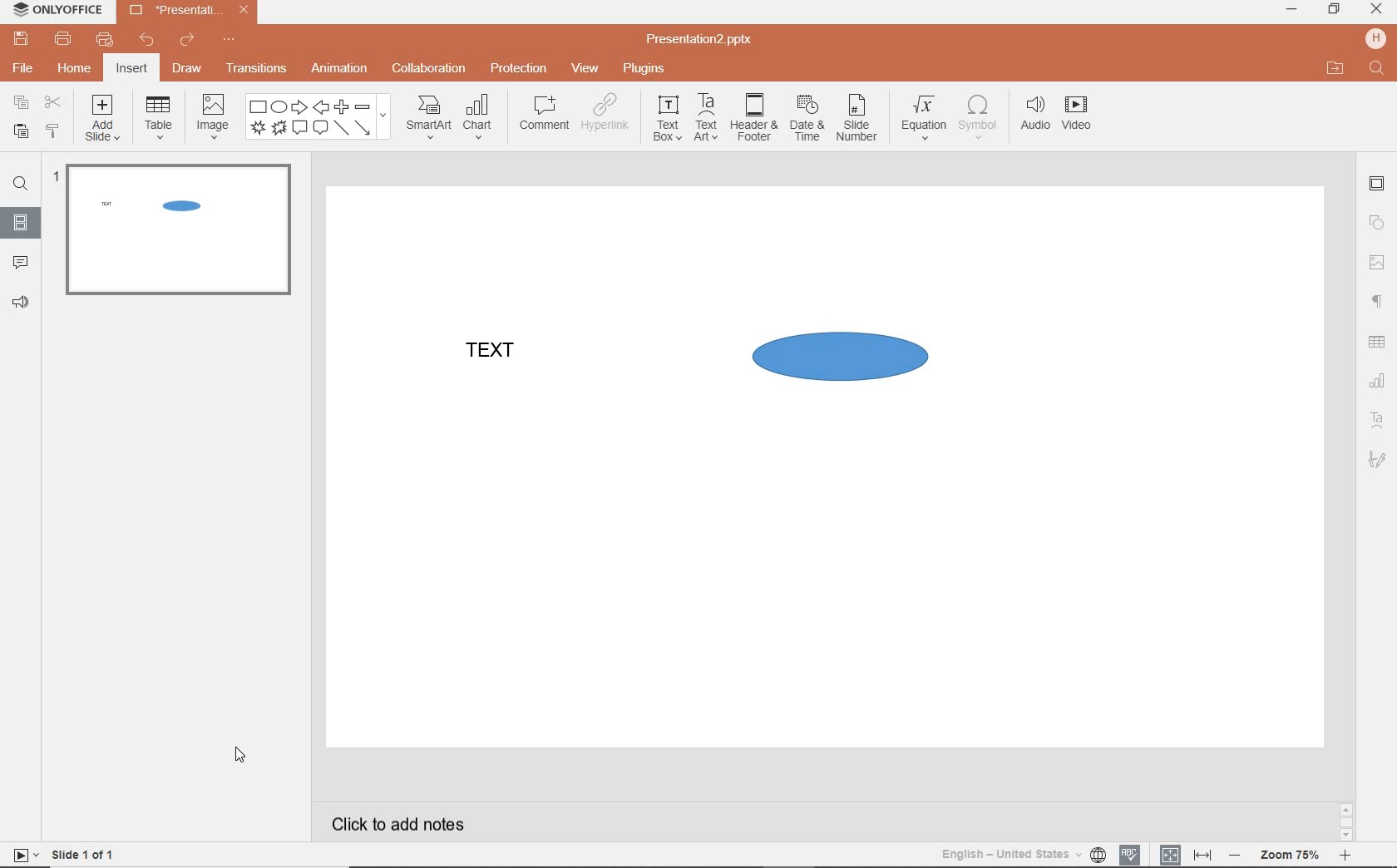 The image size is (1397, 868). Describe the element at coordinates (133, 69) in the screenshot. I see `insert` at that location.